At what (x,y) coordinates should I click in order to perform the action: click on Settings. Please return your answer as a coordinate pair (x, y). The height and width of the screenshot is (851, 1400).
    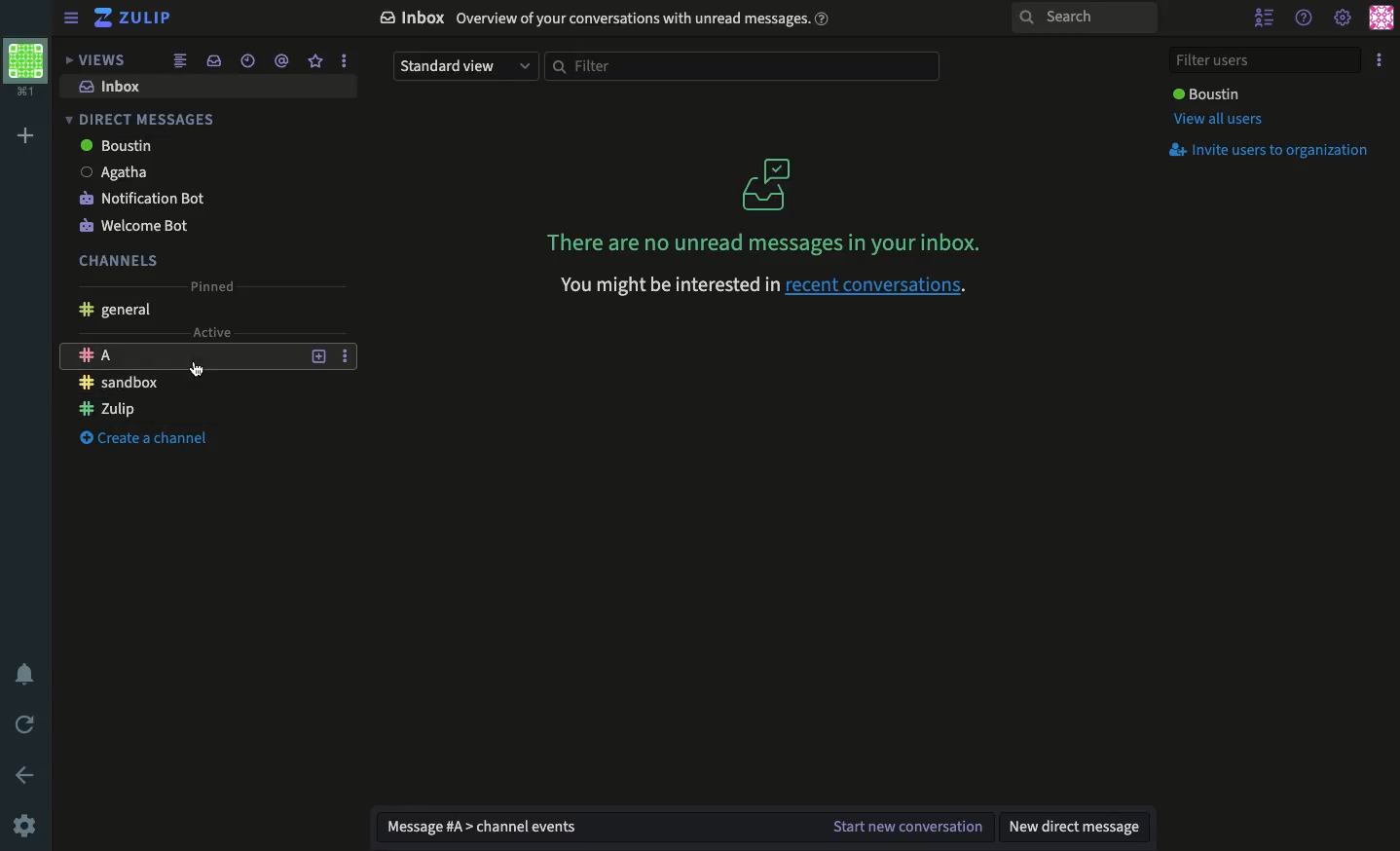
    Looking at the image, I should click on (1344, 16).